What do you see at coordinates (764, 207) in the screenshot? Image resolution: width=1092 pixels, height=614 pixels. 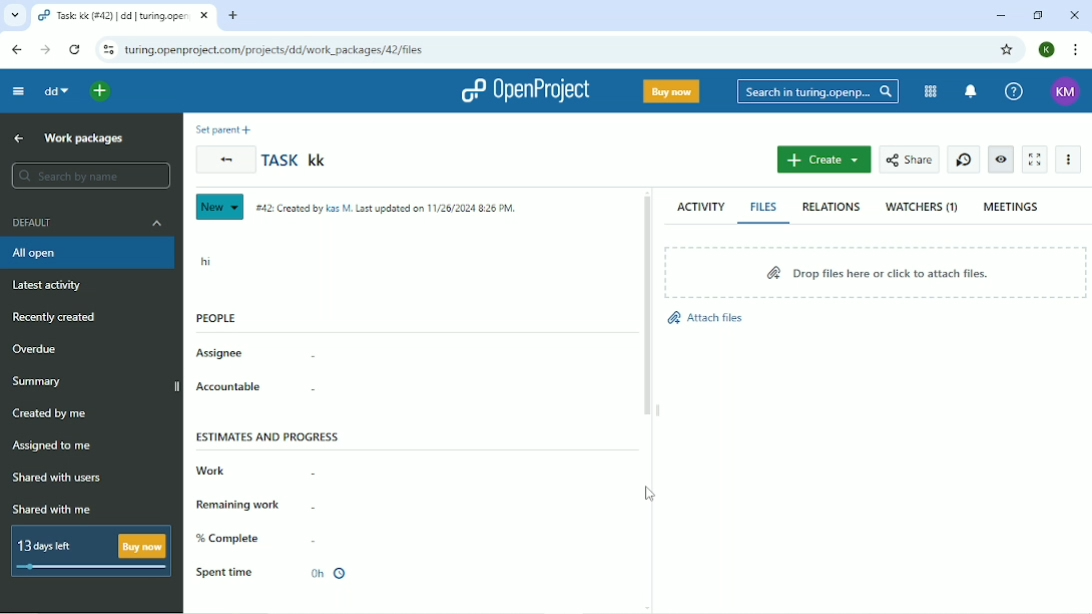 I see `FILES` at bounding box center [764, 207].